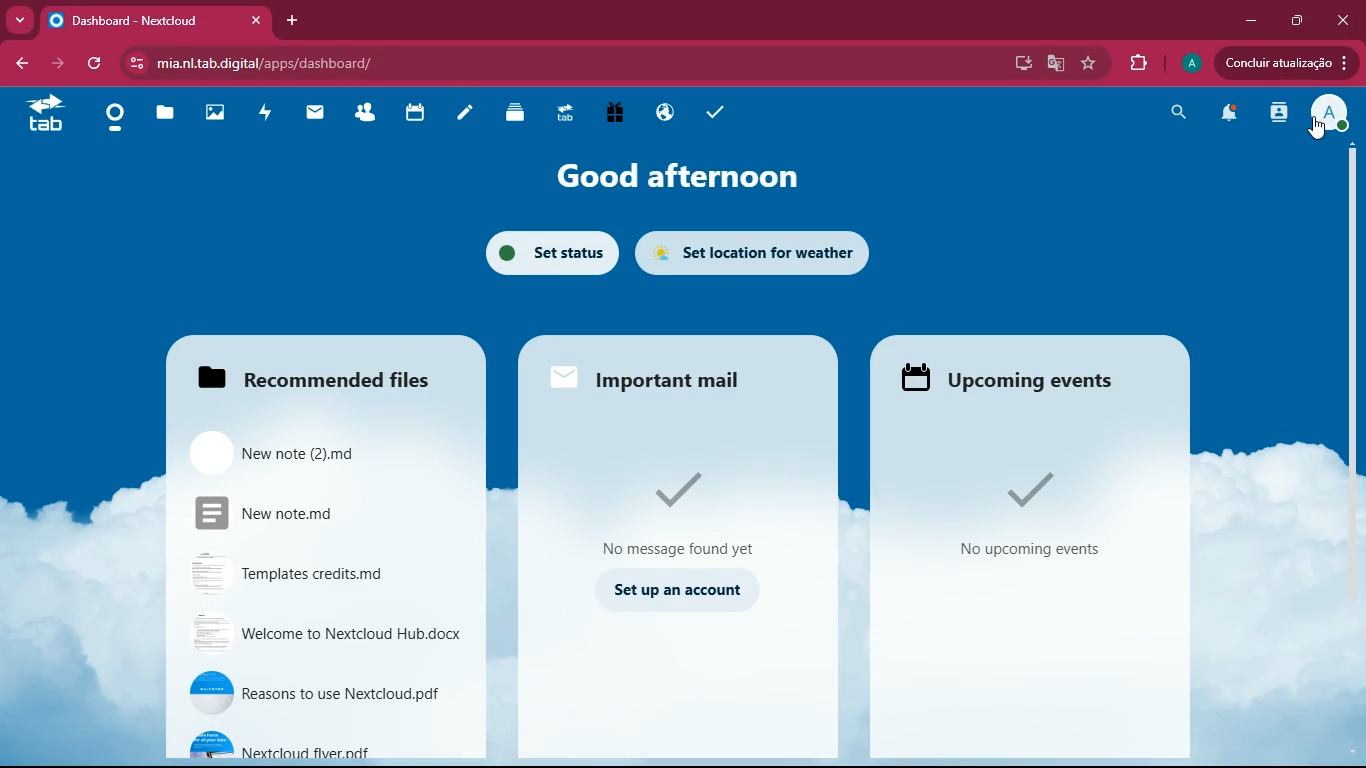 Image resolution: width=1366 pixels, height=768 pixels. I want to click on set status, so click(546, 249).